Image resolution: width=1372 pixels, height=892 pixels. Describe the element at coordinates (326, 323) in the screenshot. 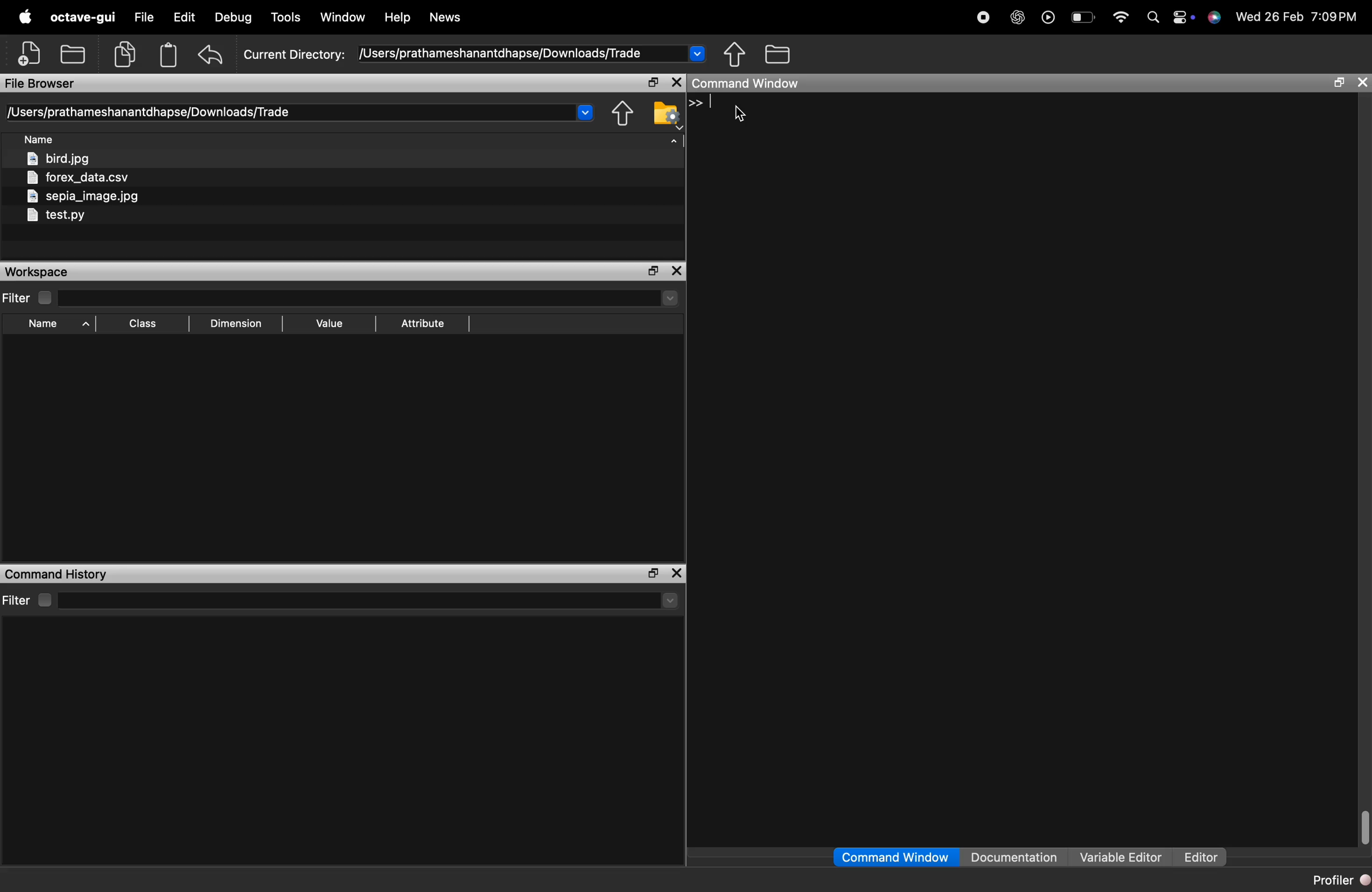

I see `sort by value` at that location.